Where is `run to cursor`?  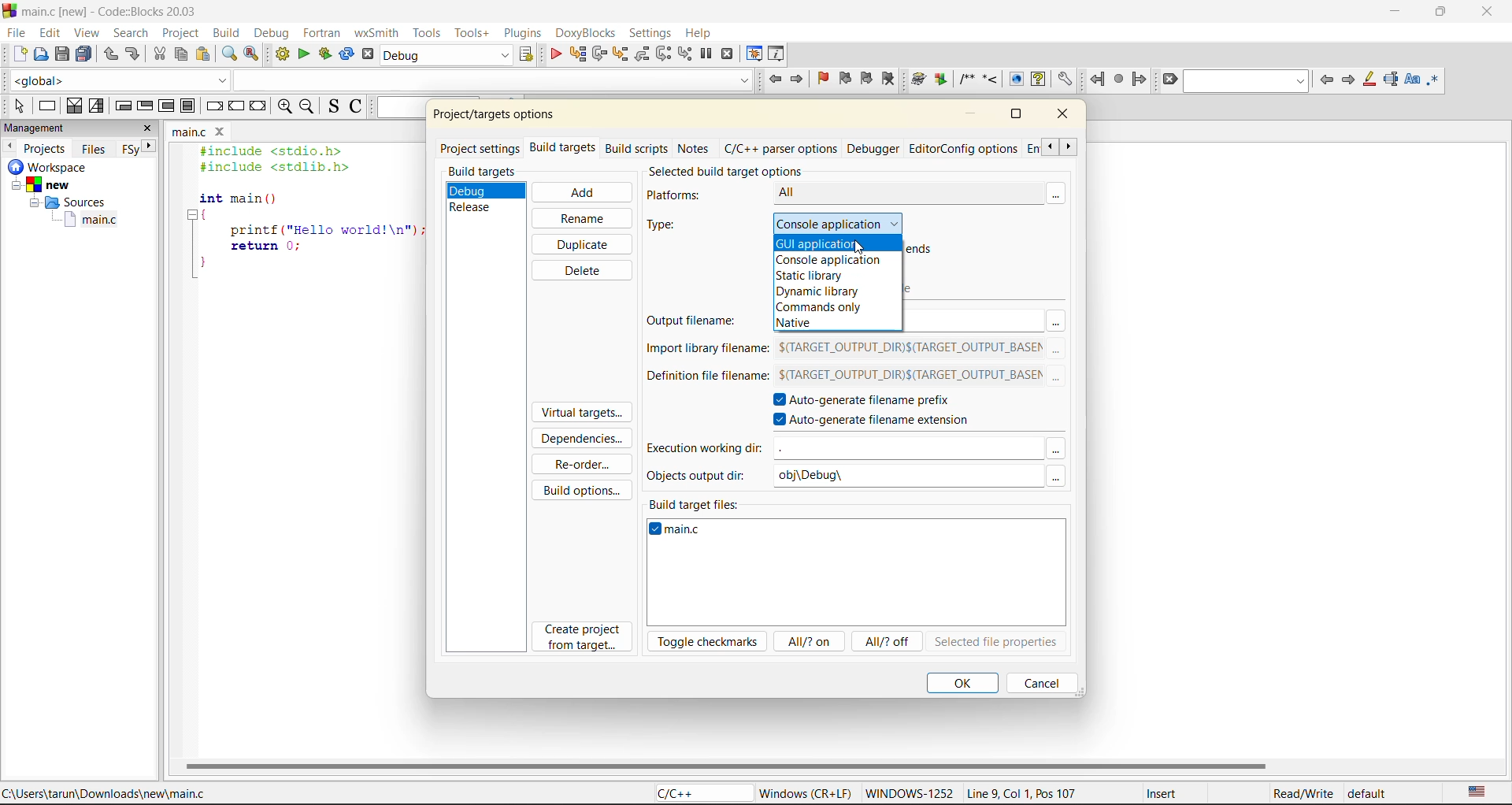
run to cursor is located at coordinates (577, 53).